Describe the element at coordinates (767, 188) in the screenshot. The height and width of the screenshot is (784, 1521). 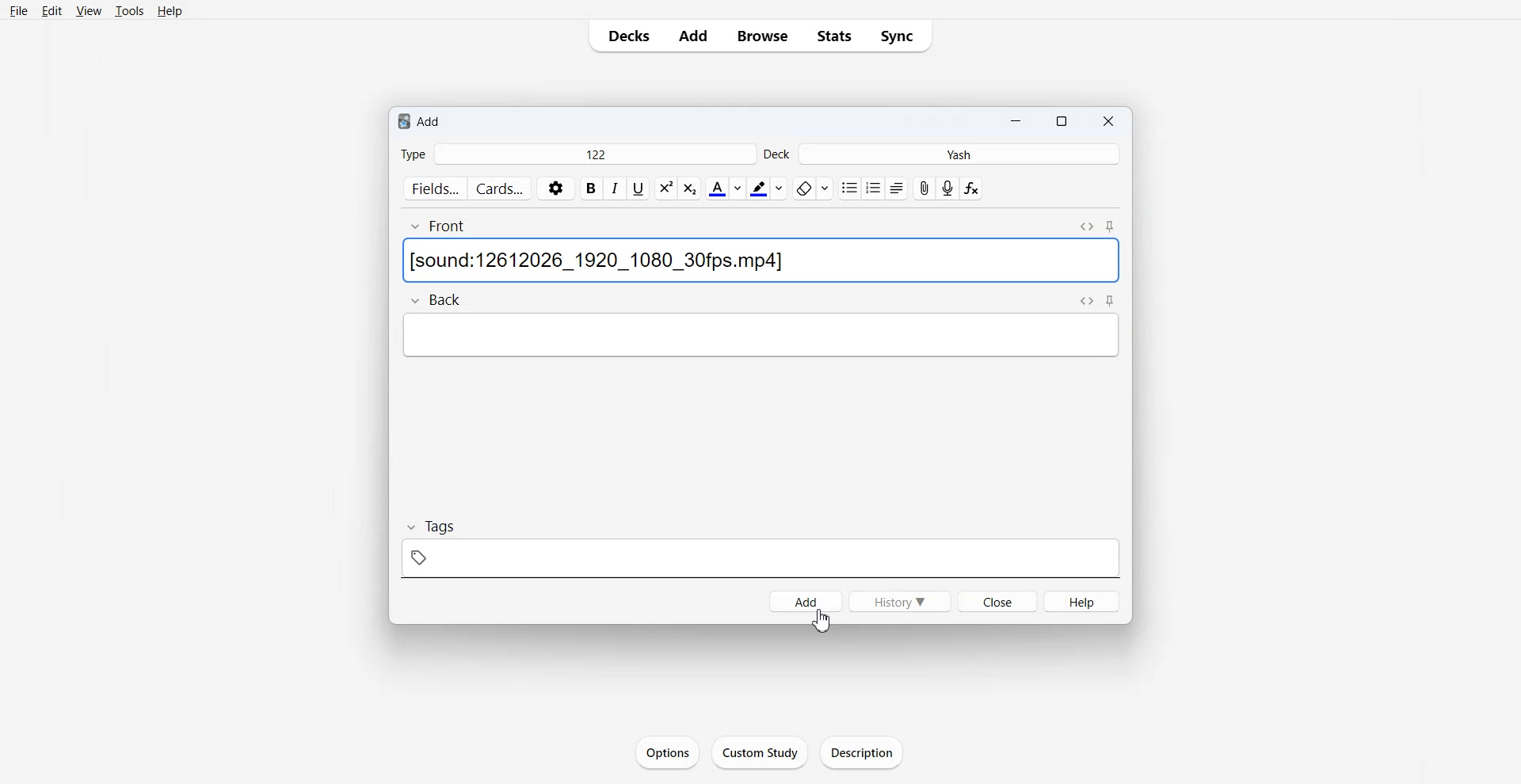
I see `Highlight text color` at that location.